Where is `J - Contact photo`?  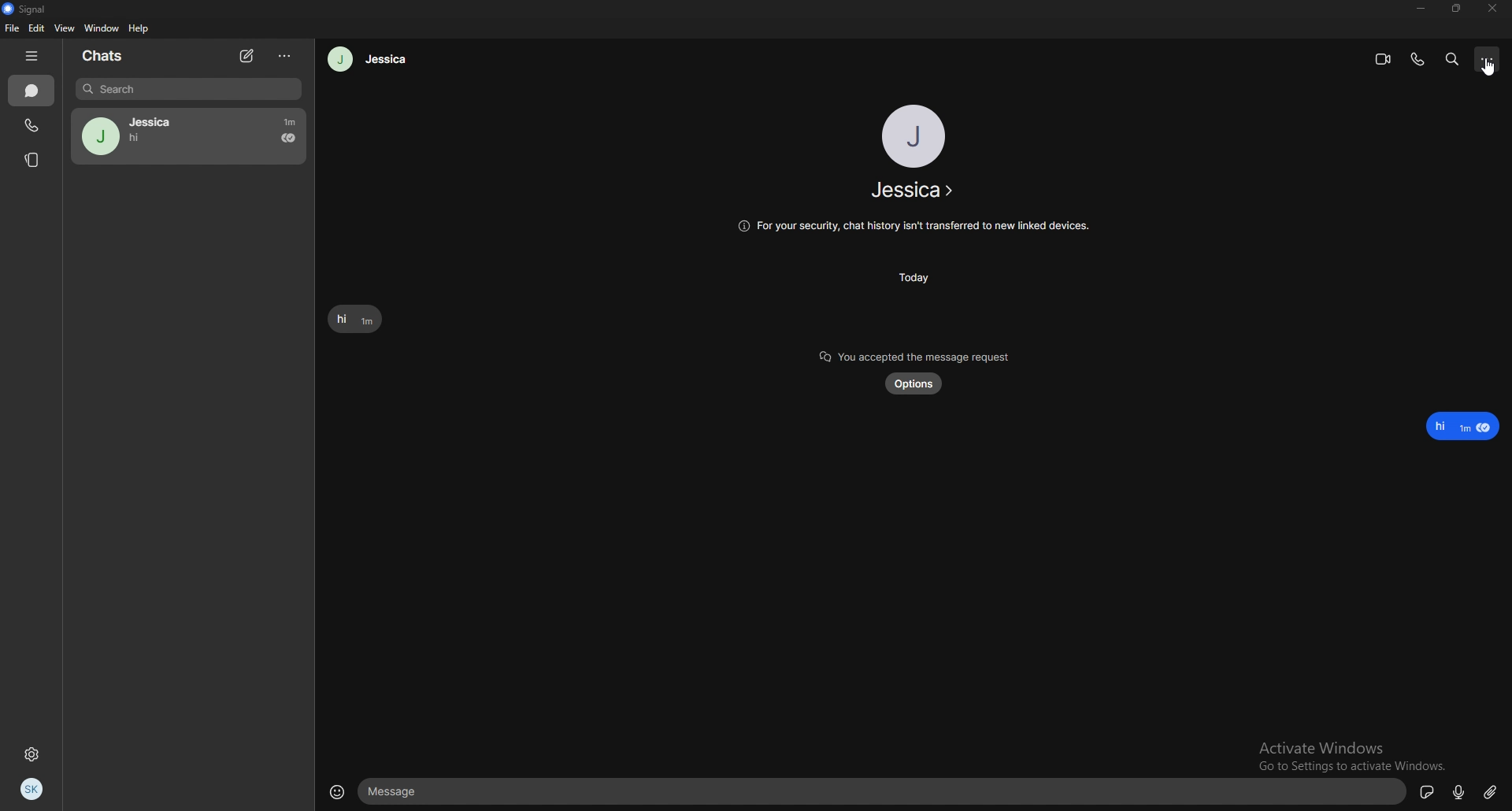
J - Contact photo is located at coordinates (914, 135).